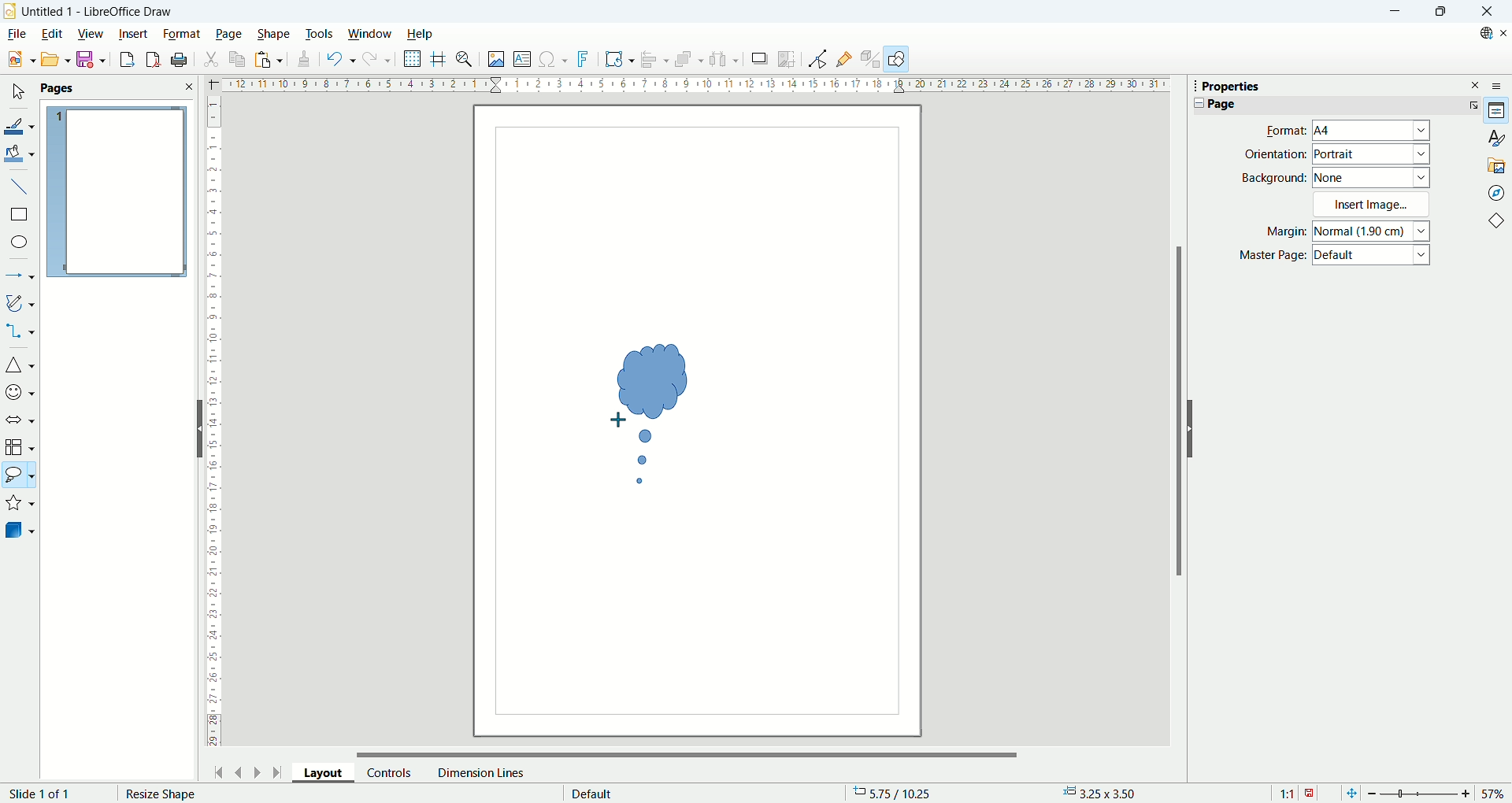 The height and width of the screenshot is (803, 1512). Describe the element at coordinates (17, 93) in the screenshot. I see `select` at that location.